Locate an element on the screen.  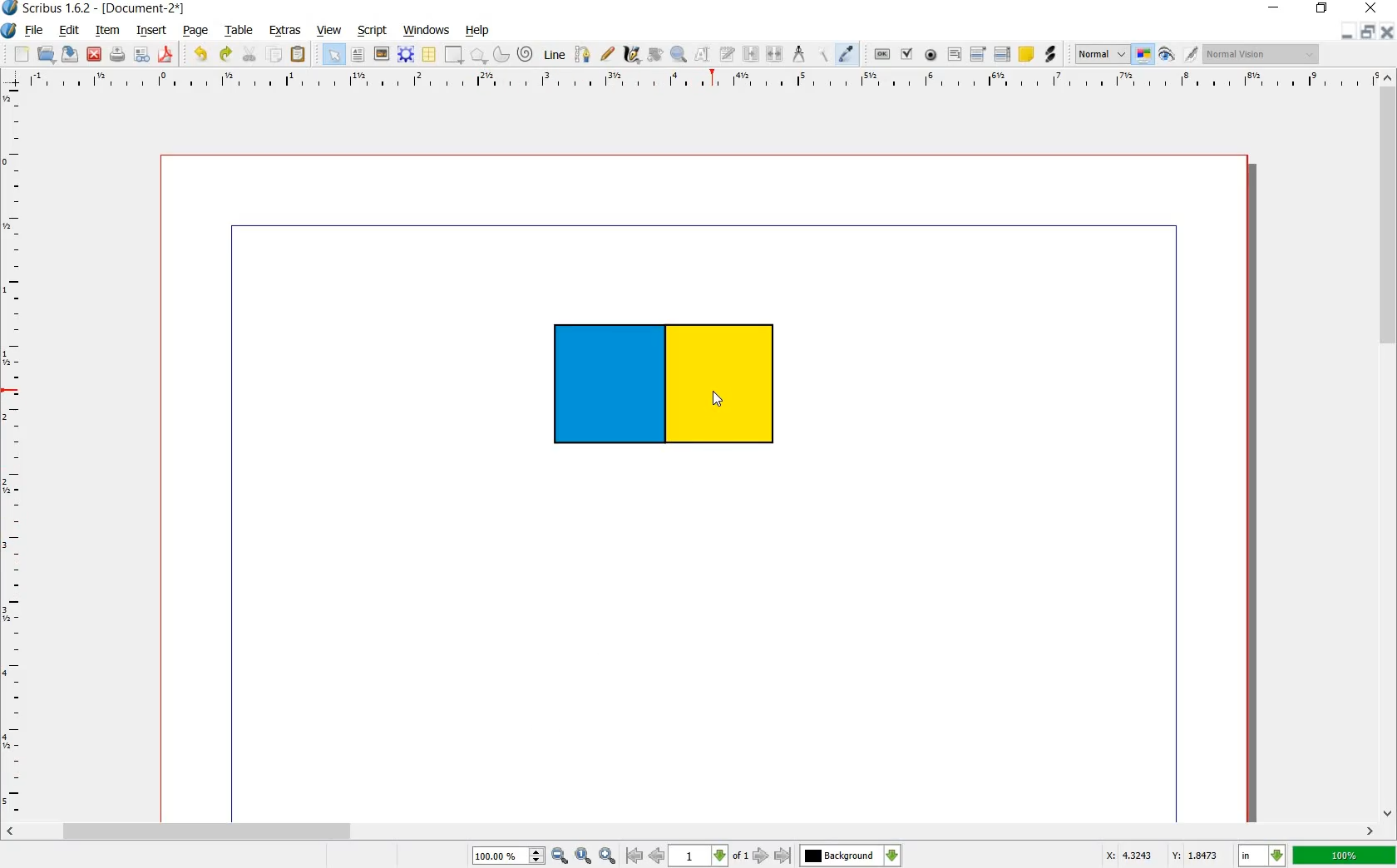
render frame is located at coordinates (406, 55).